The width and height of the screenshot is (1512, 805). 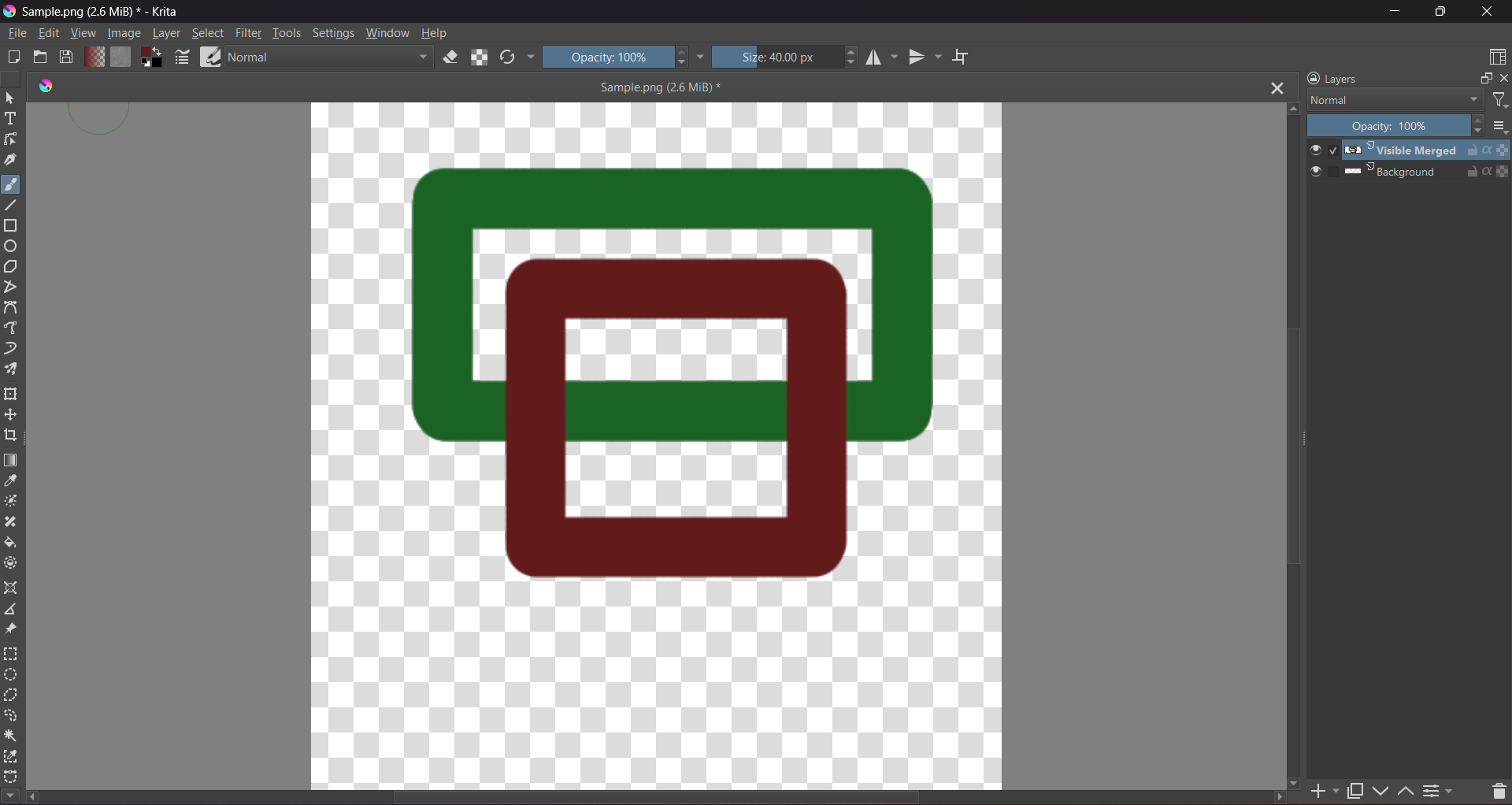 I want to click on Brush Preset, so click(x=210, y=57).